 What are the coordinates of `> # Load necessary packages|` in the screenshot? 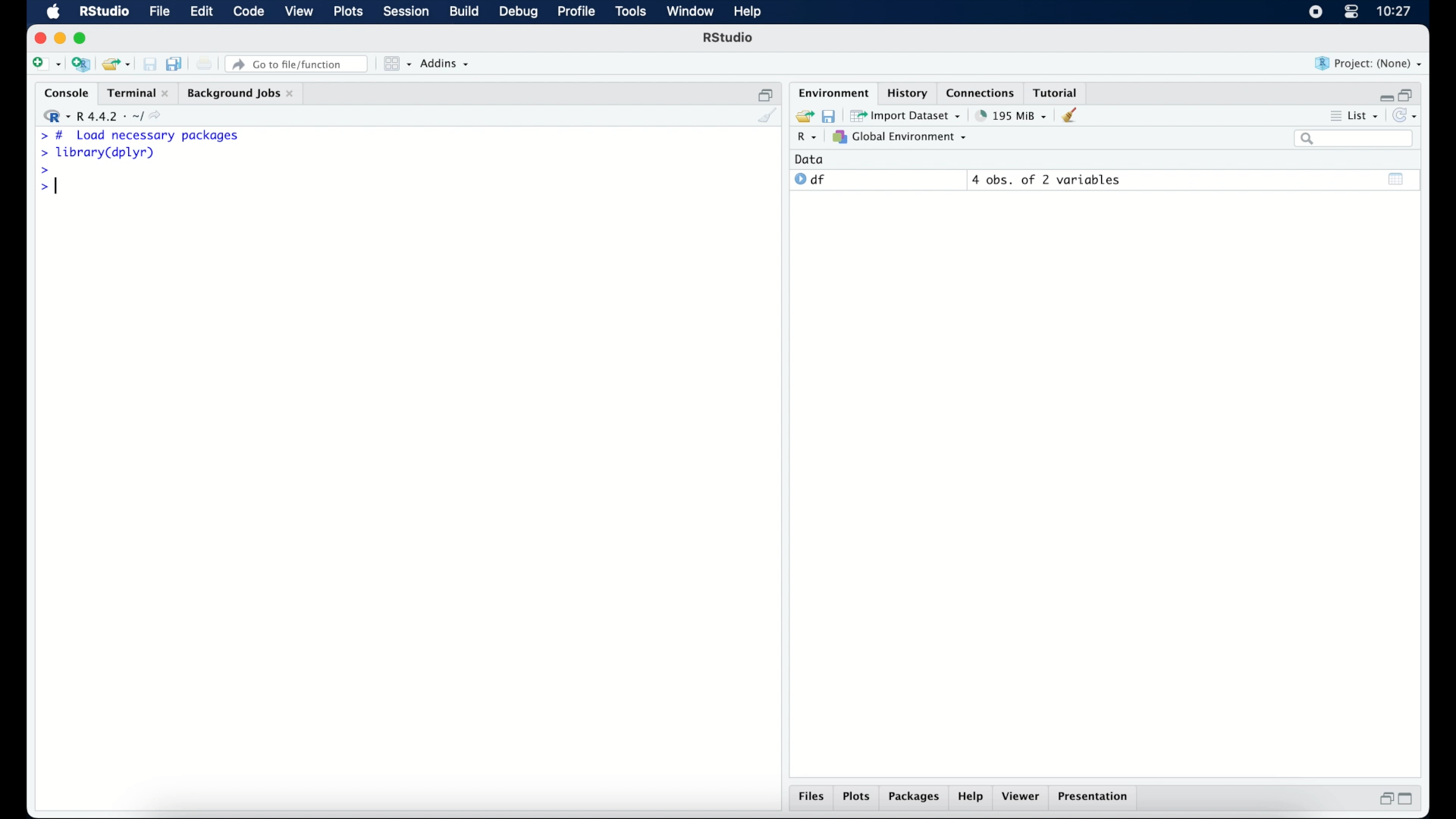 It's located at (140, 136).